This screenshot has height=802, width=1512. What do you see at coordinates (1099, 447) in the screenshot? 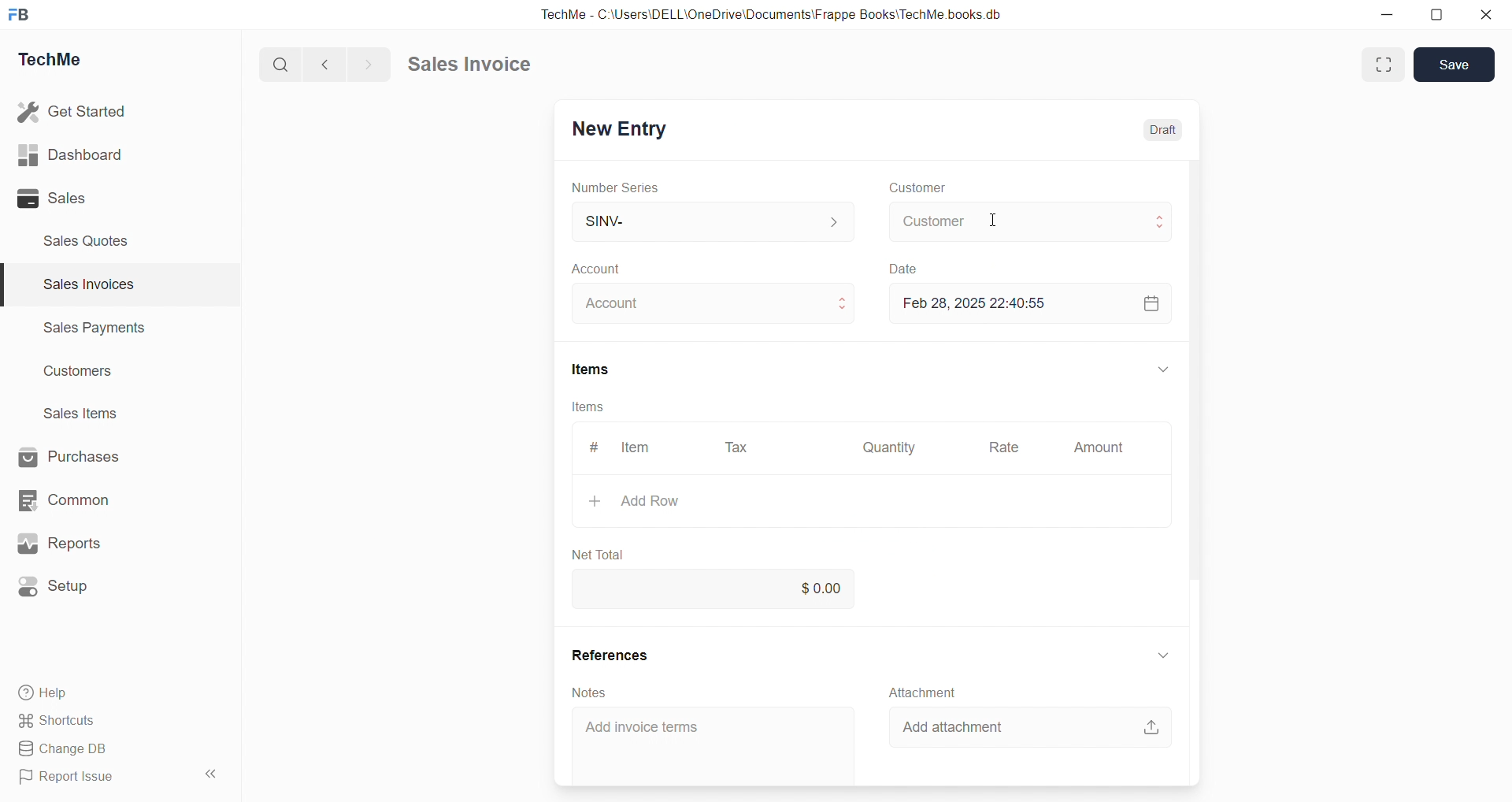
I see `Amount` at bounding box center [1099, 447].